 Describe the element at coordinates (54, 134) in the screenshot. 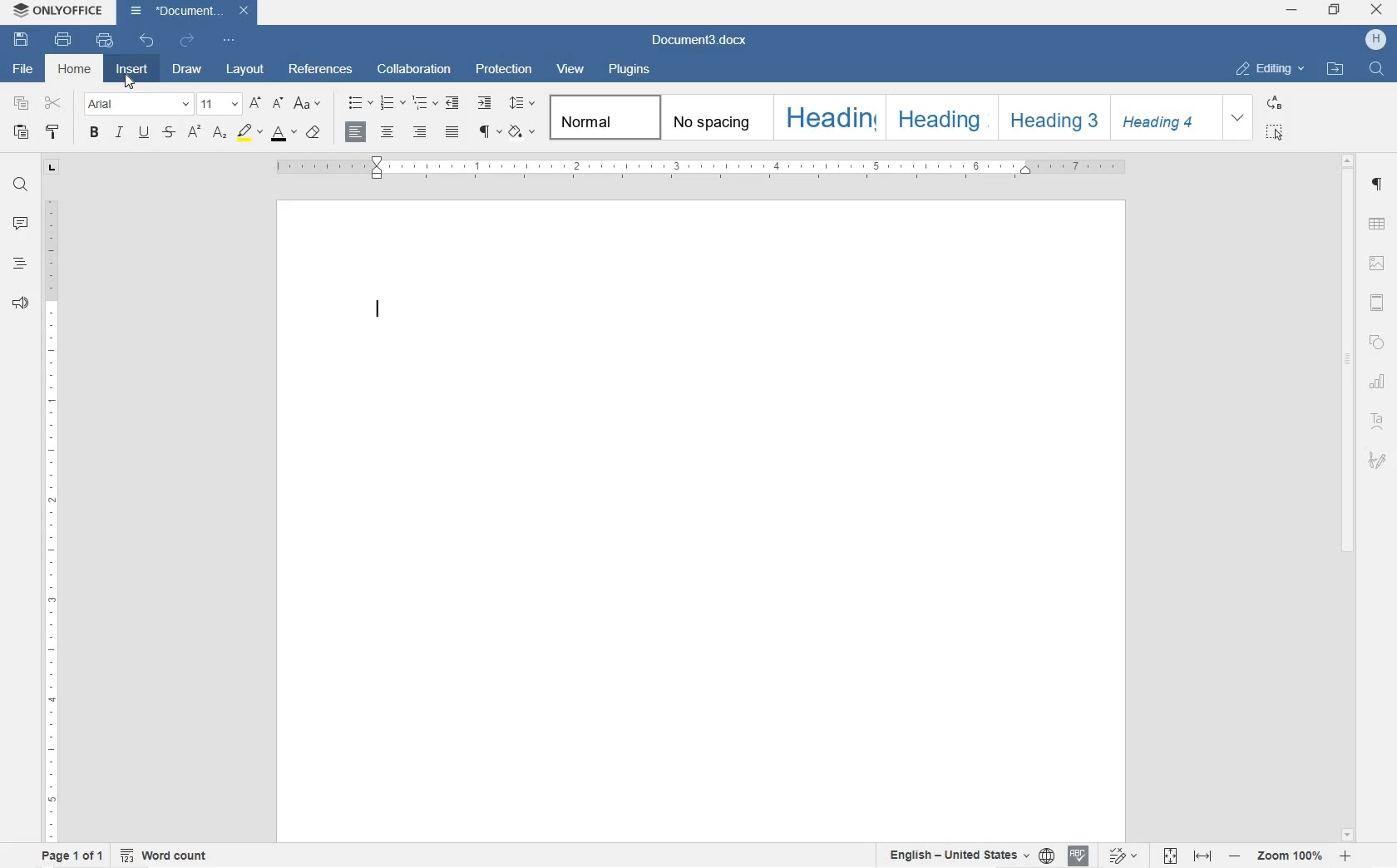

I see `COPY STYLE` at that location.